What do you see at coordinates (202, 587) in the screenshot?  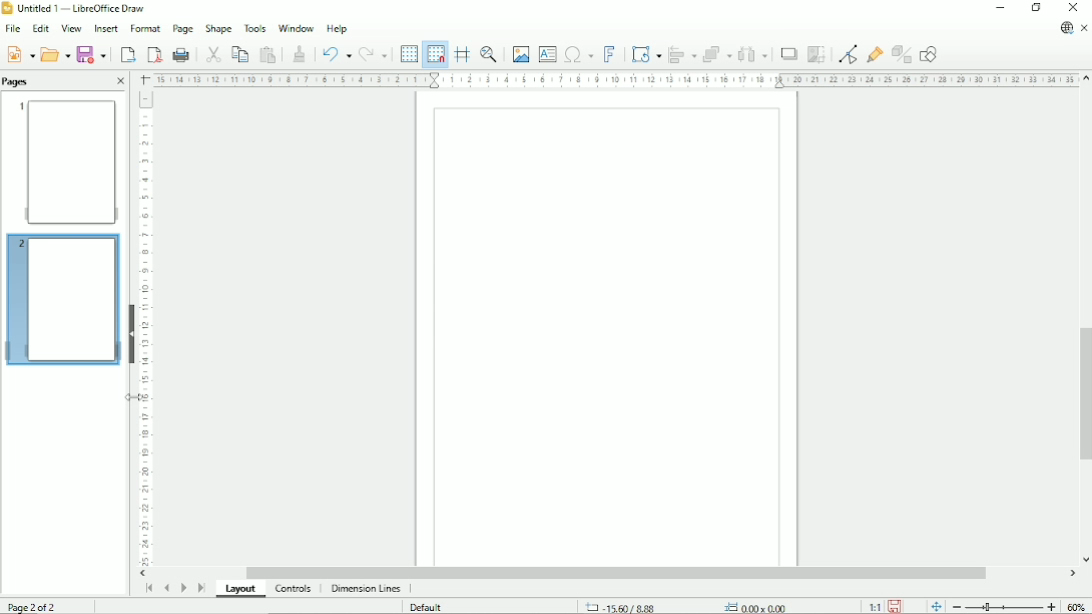 I see `Scroll to last page` at bounding box center [202, 587].